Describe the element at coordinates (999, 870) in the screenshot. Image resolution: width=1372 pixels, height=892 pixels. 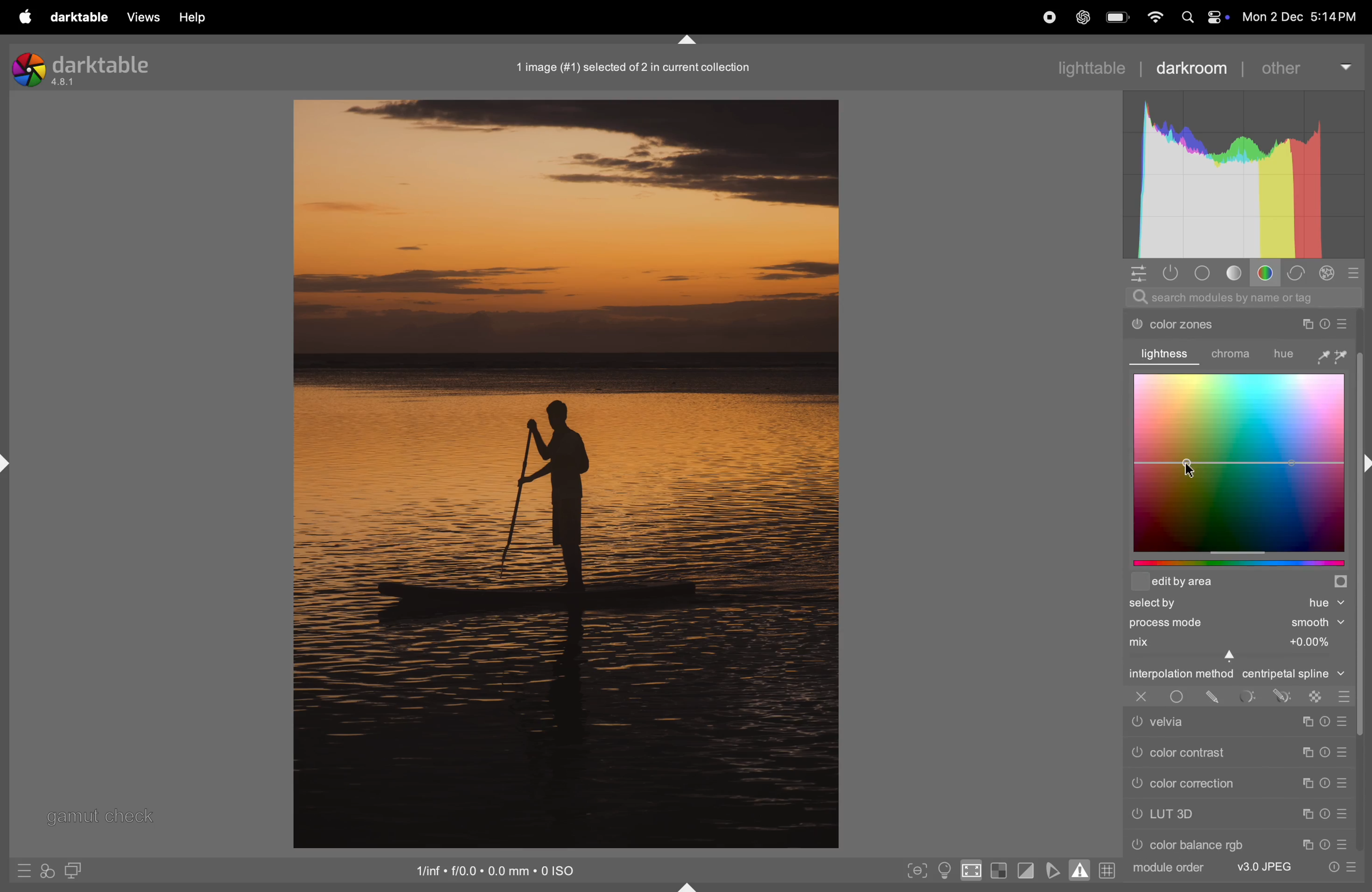
I see `toggle indication of raw exposure` at that location.